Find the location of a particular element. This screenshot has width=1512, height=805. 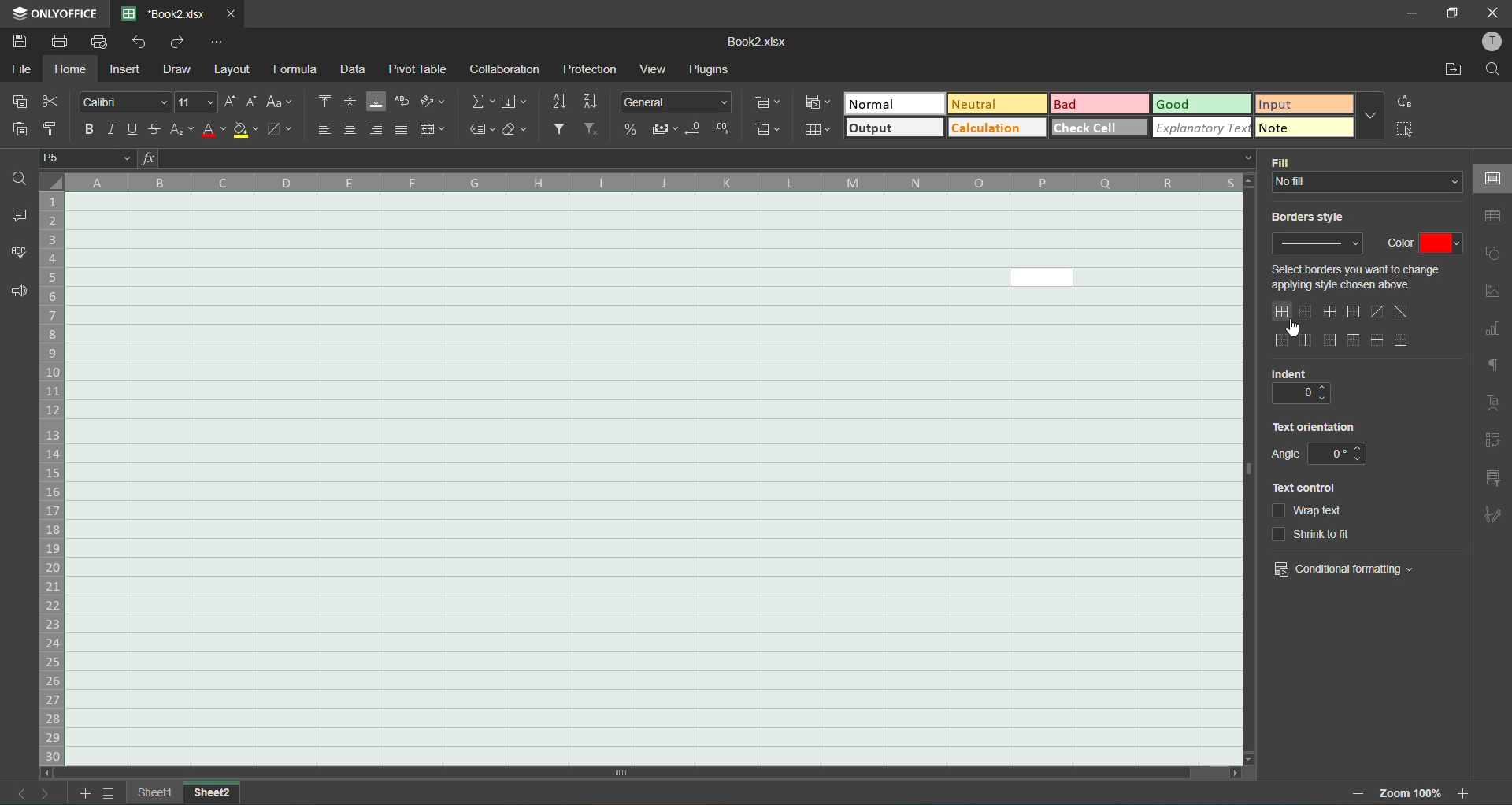

clear filter is located at coordinates (594, 132).